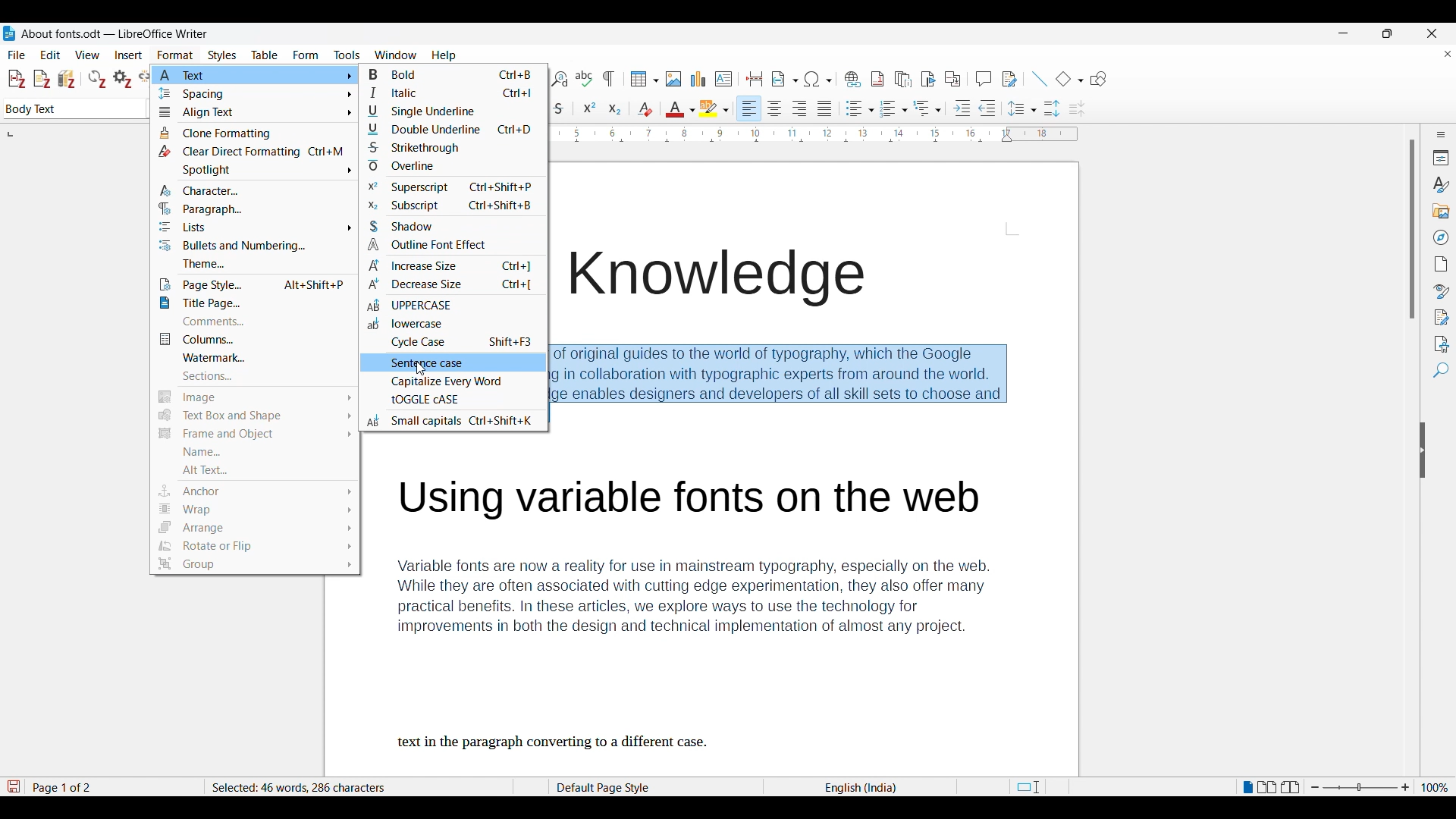 This screenshot has width=1456, height=819. I want to click on Insert footnote, so click(877, 79).